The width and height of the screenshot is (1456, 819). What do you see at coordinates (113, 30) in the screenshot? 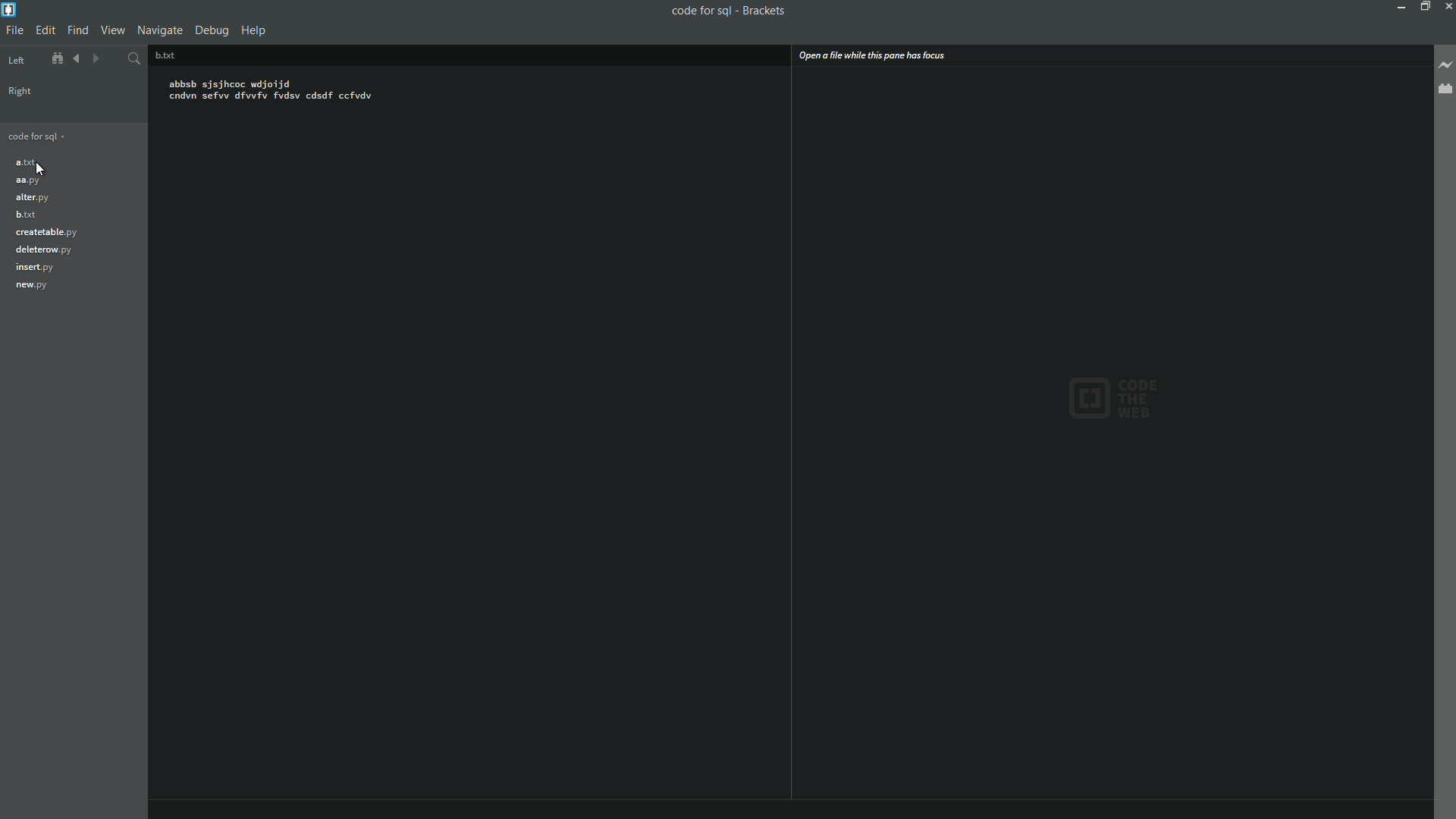
I see `View menu` at bounding box center [113, 30].